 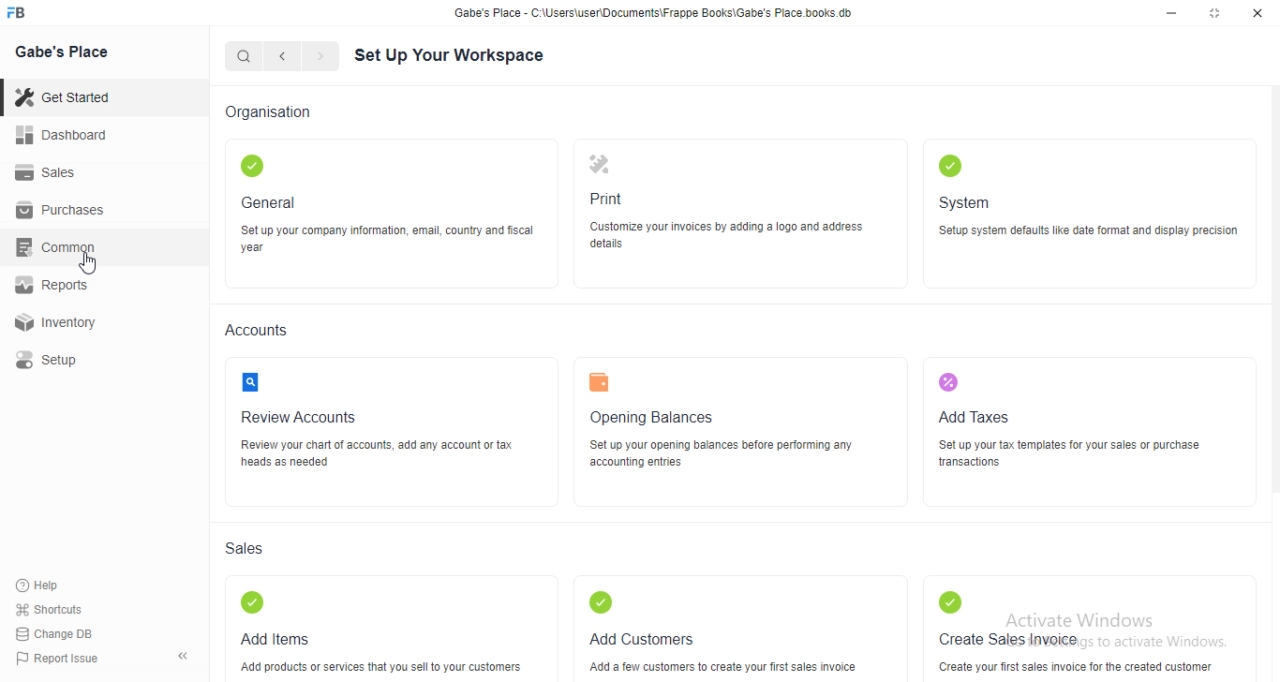 What do you see at coordinates (18, 13) in the screenshot?
I see `FB logo` at bounding box center [18, 13].